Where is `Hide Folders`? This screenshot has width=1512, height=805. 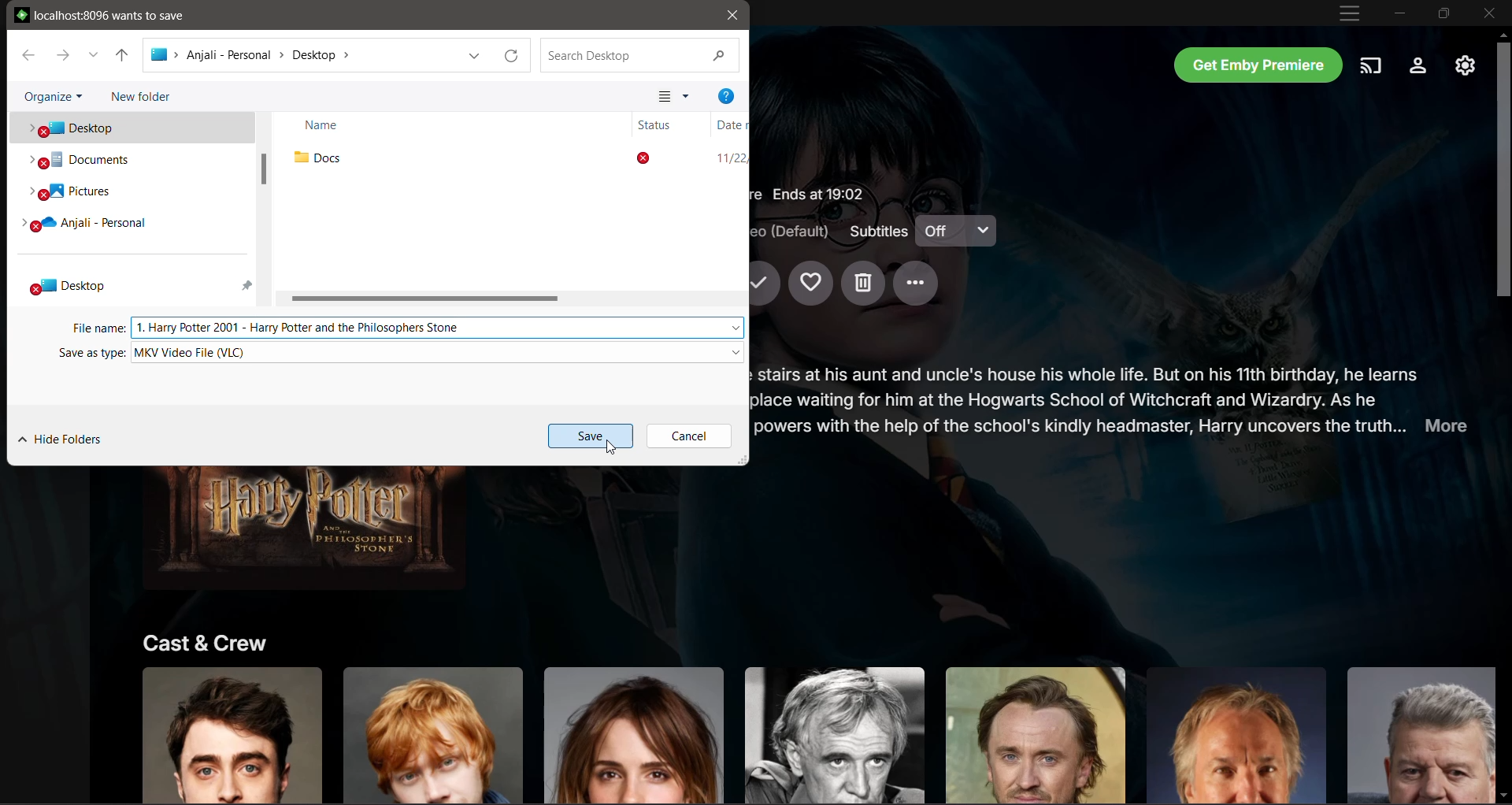
Hide Folders is located at coordinates (63, 439).